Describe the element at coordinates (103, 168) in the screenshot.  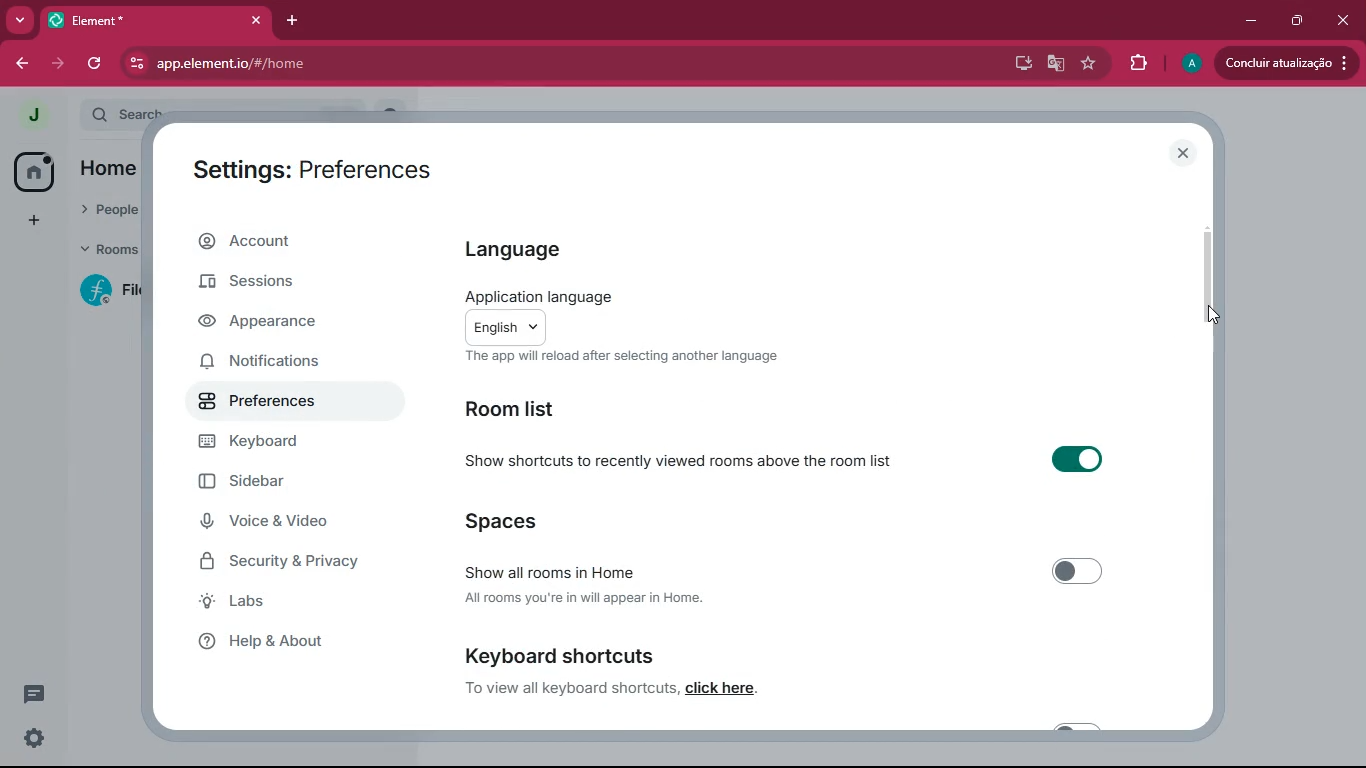
I see `home` at that location.